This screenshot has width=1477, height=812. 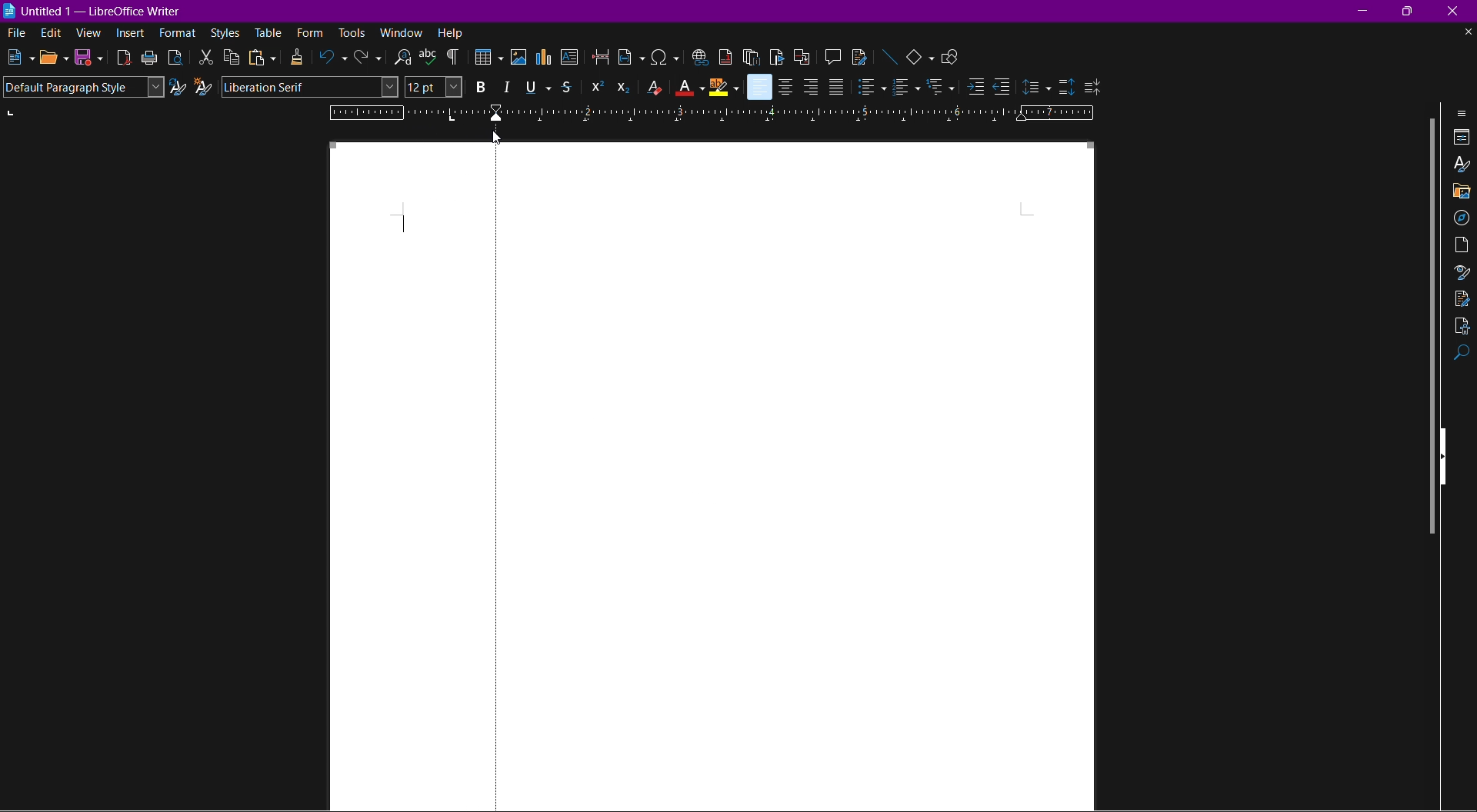 What do you see at coordinates (1004, 88) in the screenshot?
I see `Decrease indent` at bounding box center [1004, 88].